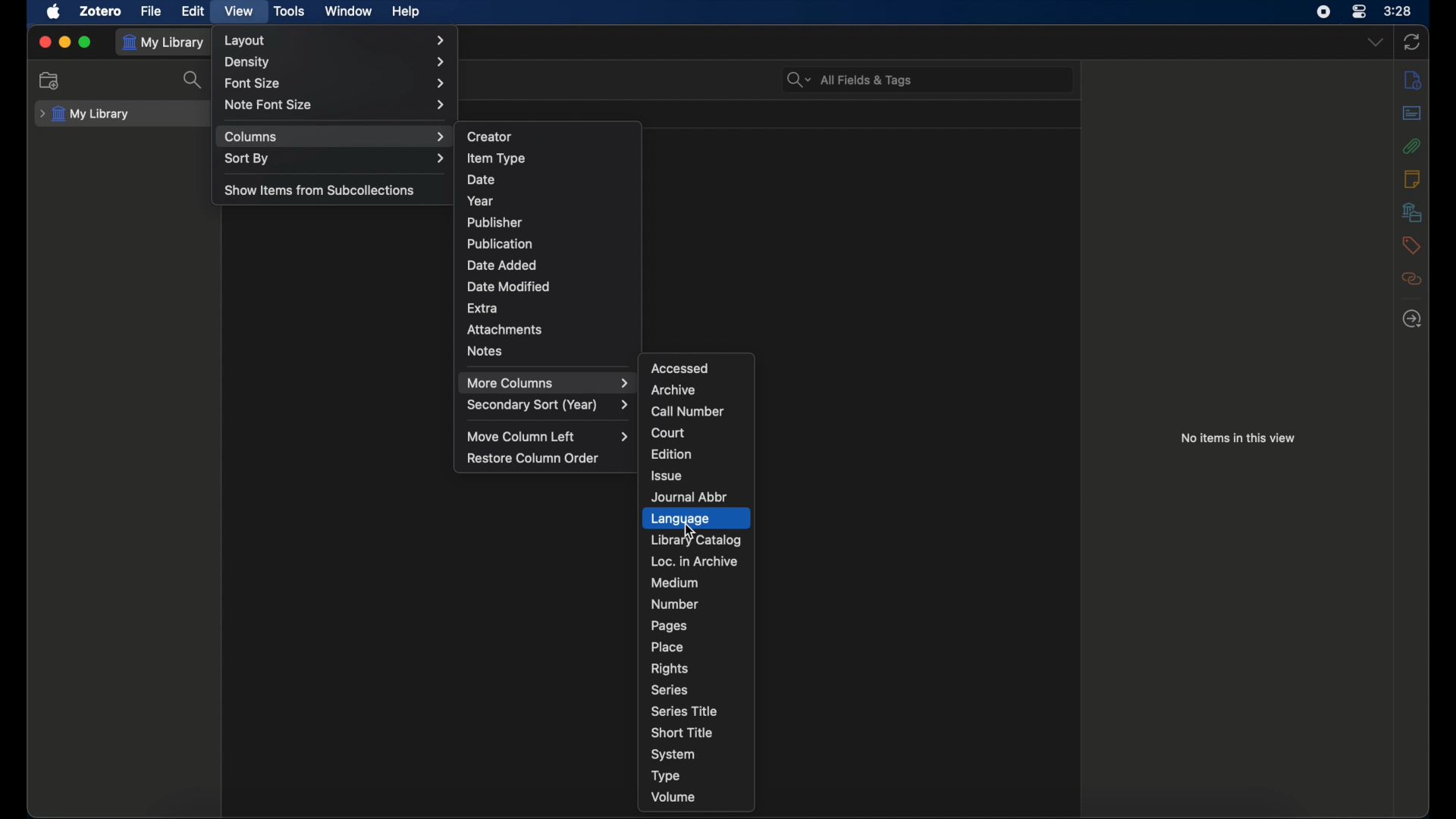  I want to click on publications, so click(500, 243).